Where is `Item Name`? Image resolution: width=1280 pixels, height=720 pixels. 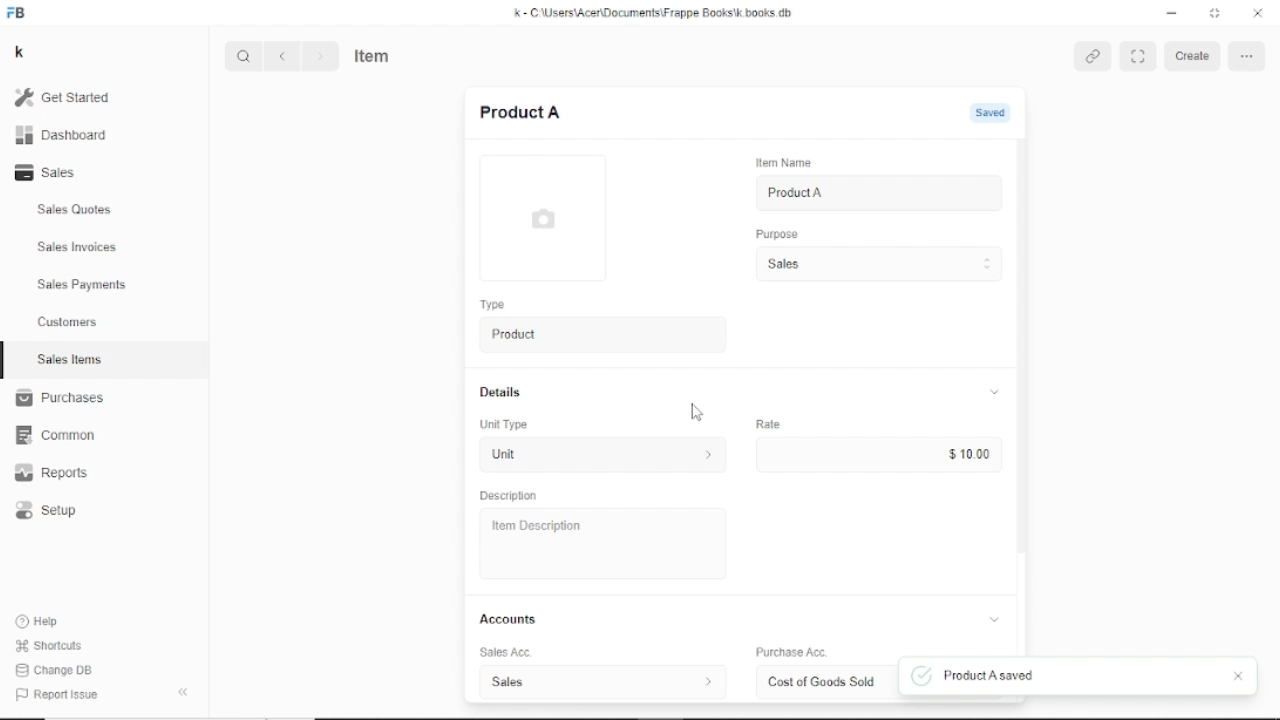 Item Name is located at coordinates (782, 163).